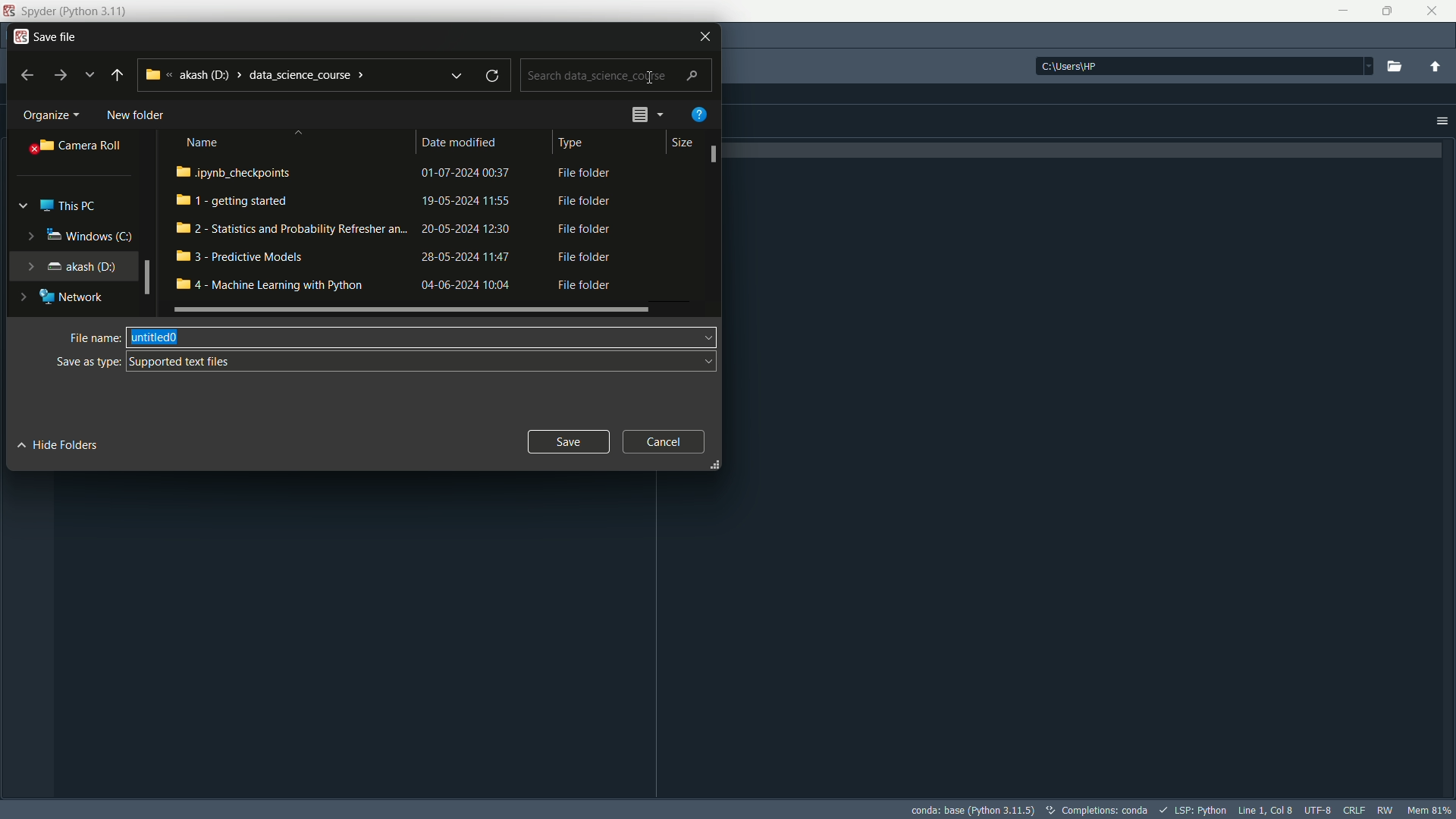  I want to click on I 3 - Predictive Models, so click(243, 258).